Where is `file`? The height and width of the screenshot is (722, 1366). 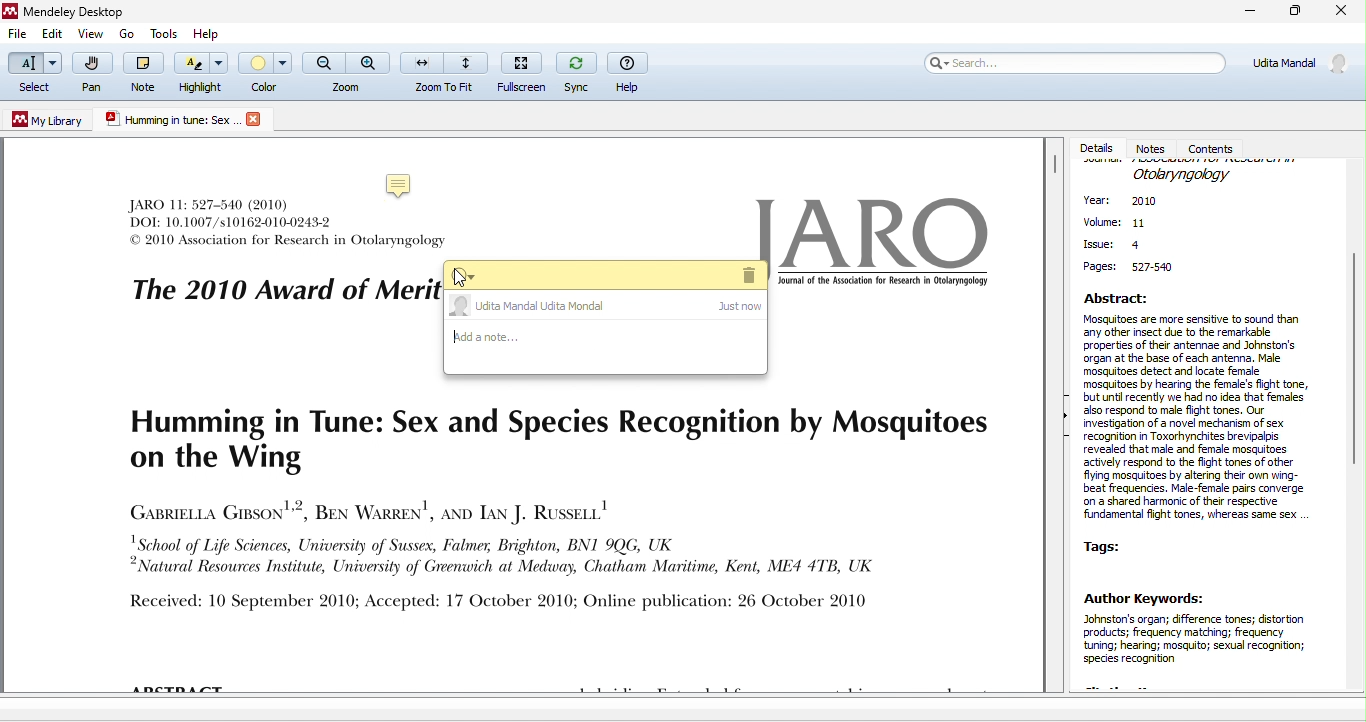 file is located at coordinates (16, 35).